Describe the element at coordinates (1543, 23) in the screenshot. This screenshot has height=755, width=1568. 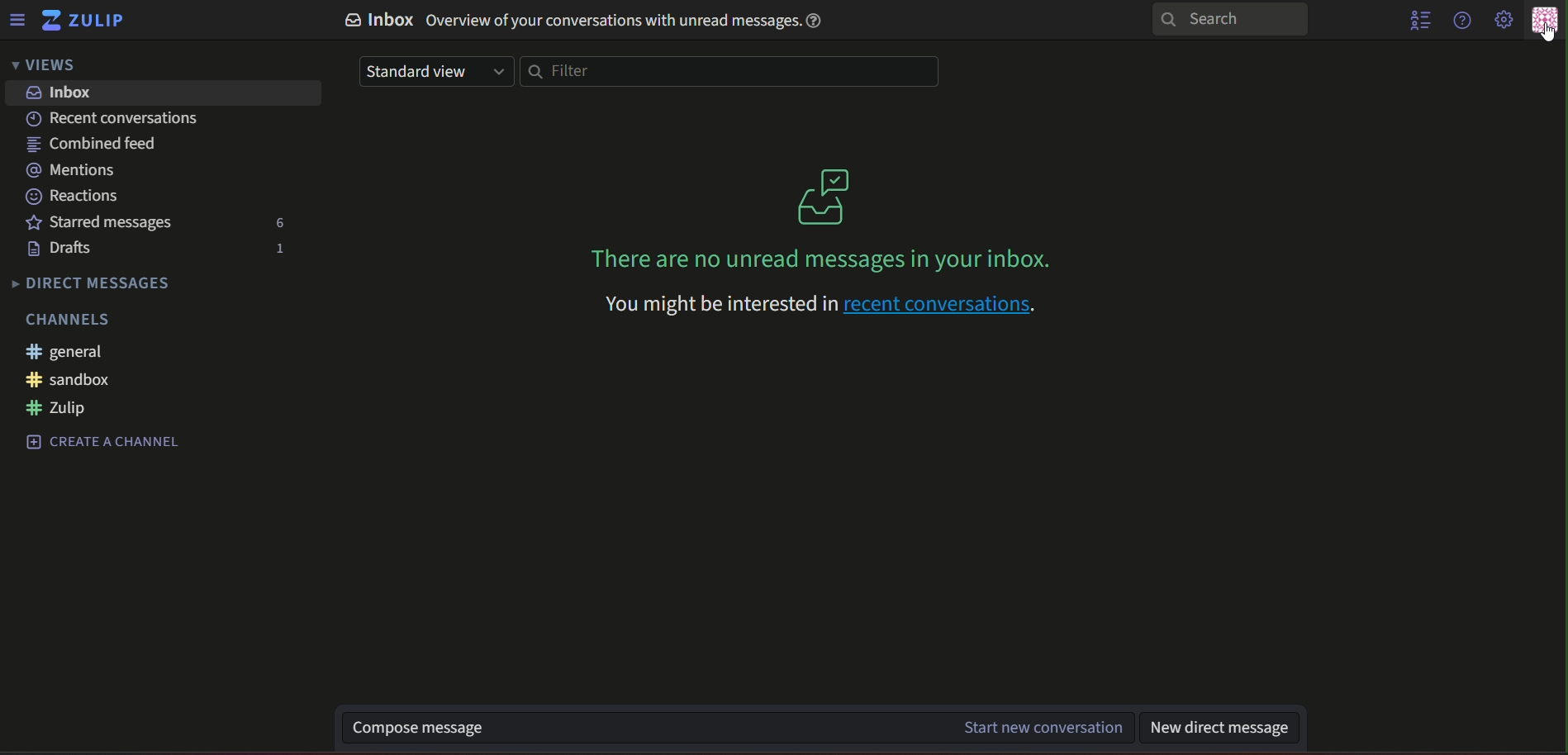
I see `personal menu` at that location.